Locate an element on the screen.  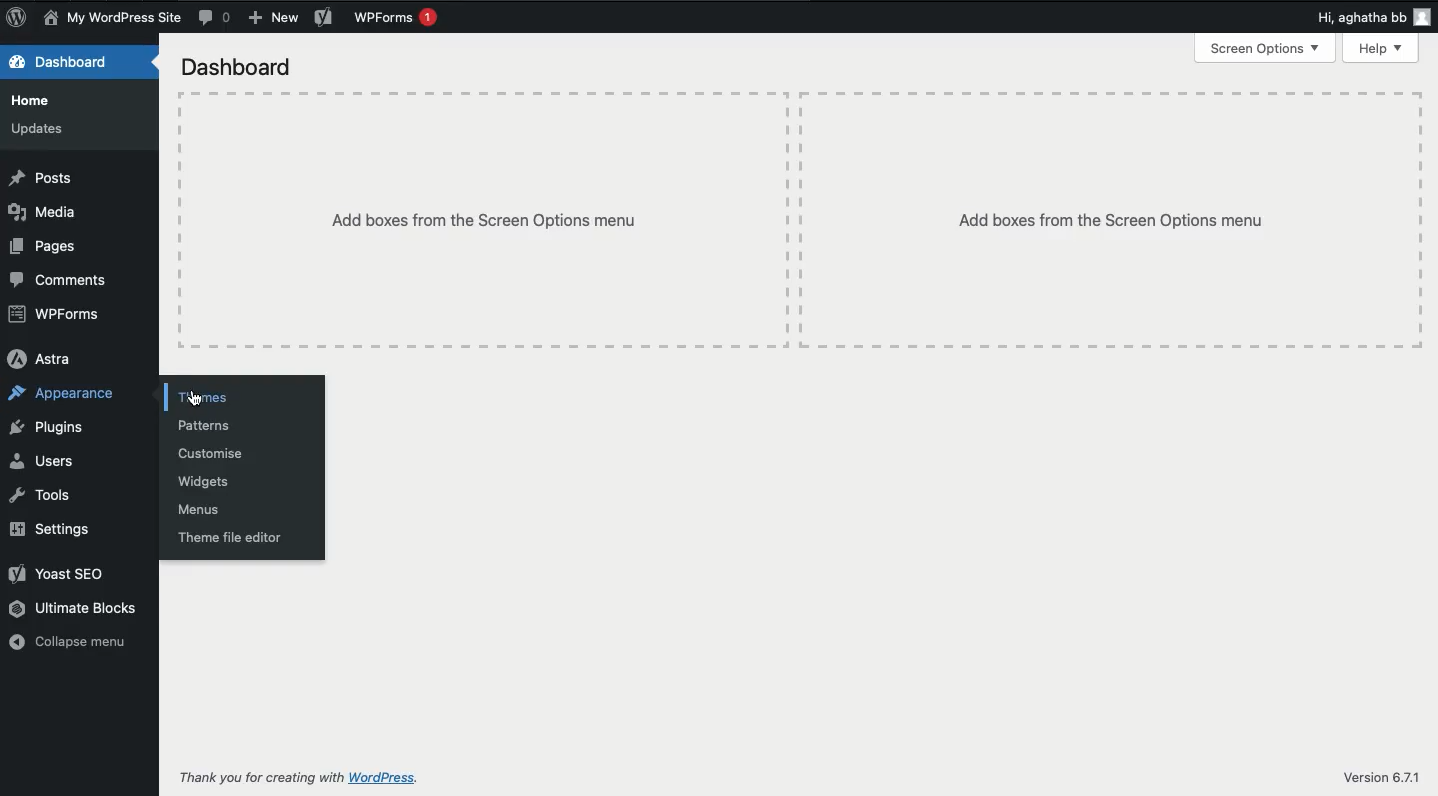
Plugins is located at coordinates (45, 428).